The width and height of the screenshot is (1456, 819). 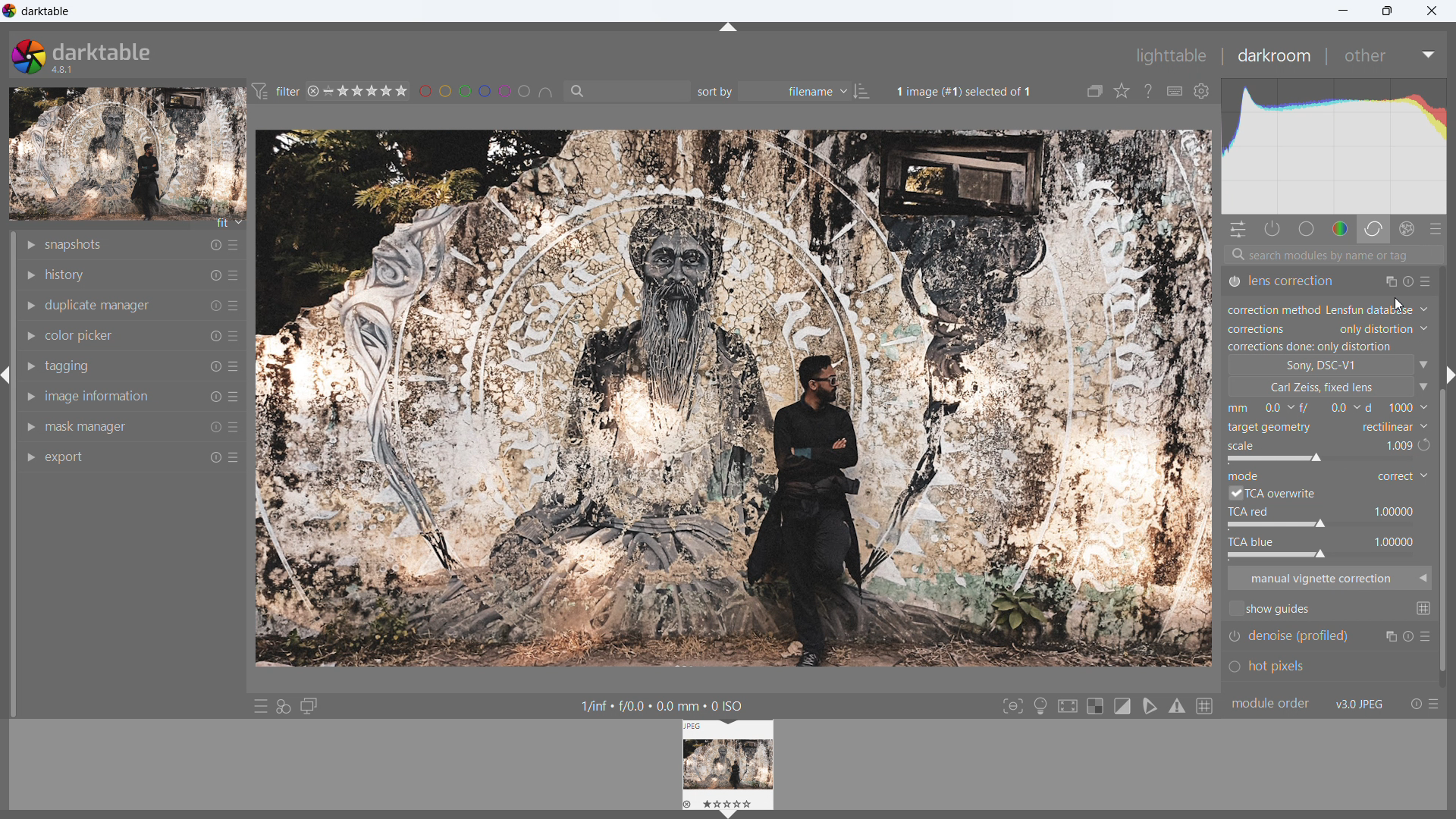 What do you see at coordinates (727, 765) in the screenshot?
I see `lighttable preview` at bounding box center [727, 765].